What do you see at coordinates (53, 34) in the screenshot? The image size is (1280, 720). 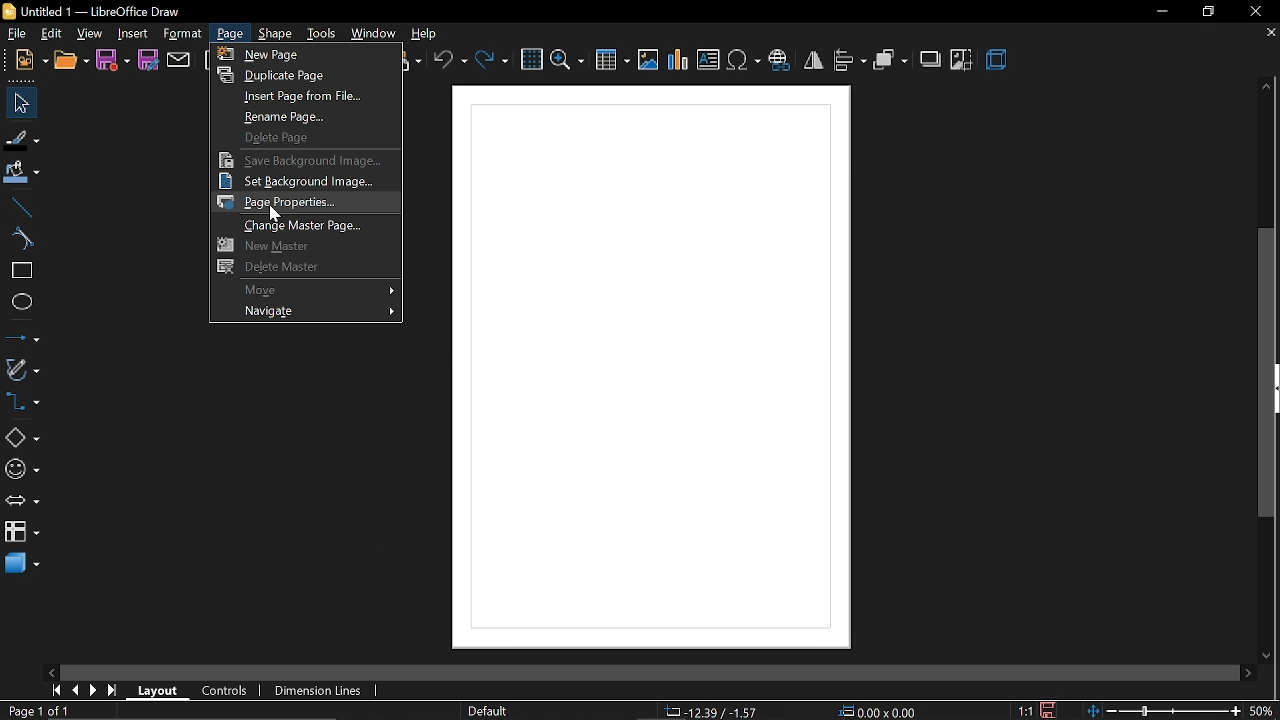 I see `edit` at bounding box center [53, 34].